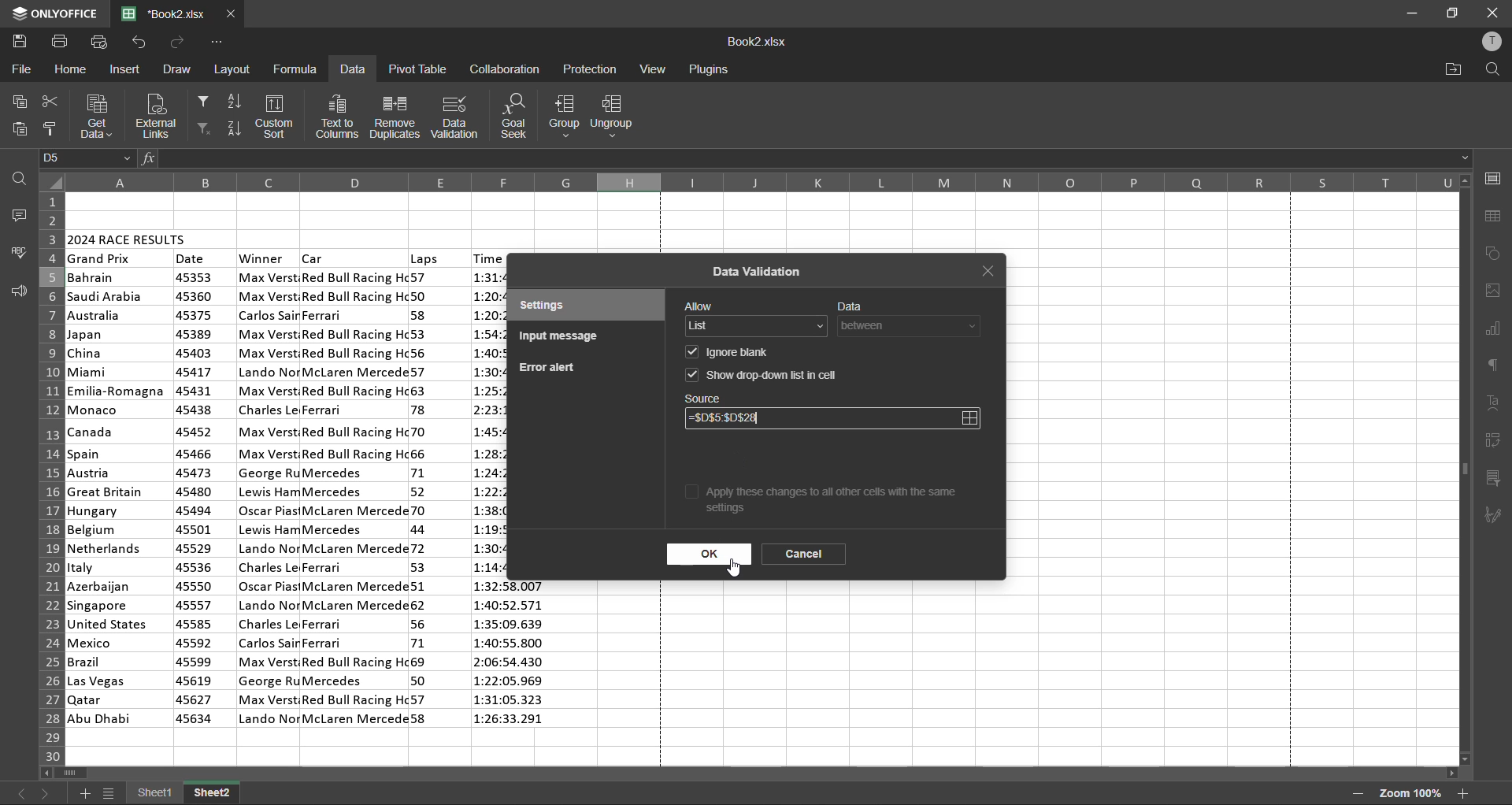 The height and width of the screenshot is (805, 1512). I want to click on text, so click(1495, 403).